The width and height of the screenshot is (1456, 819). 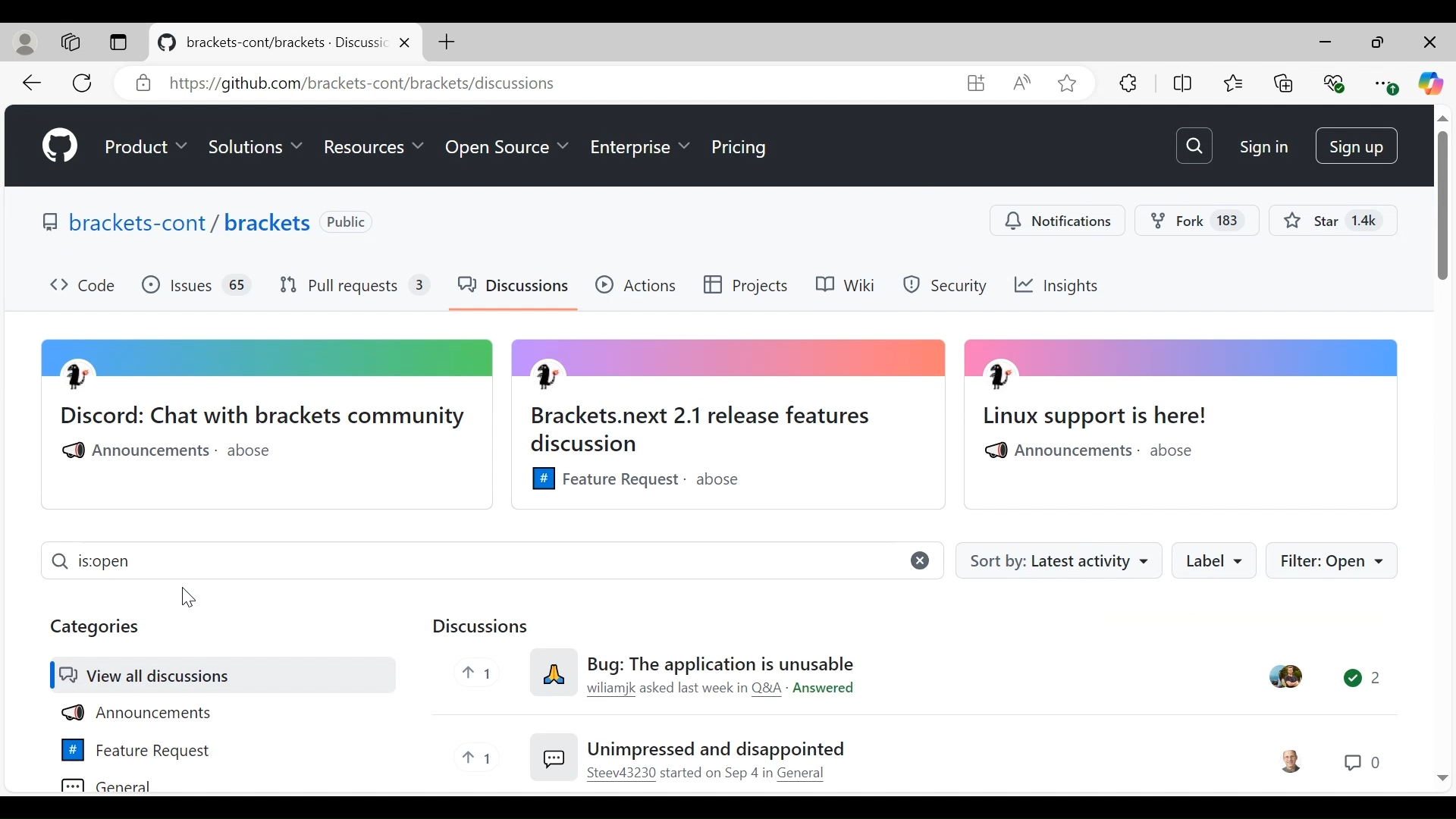 What do you see at coordinates (1089, 453) in the screenshot?
I see `Announcements. abose` at bounding box center [1089, 453].